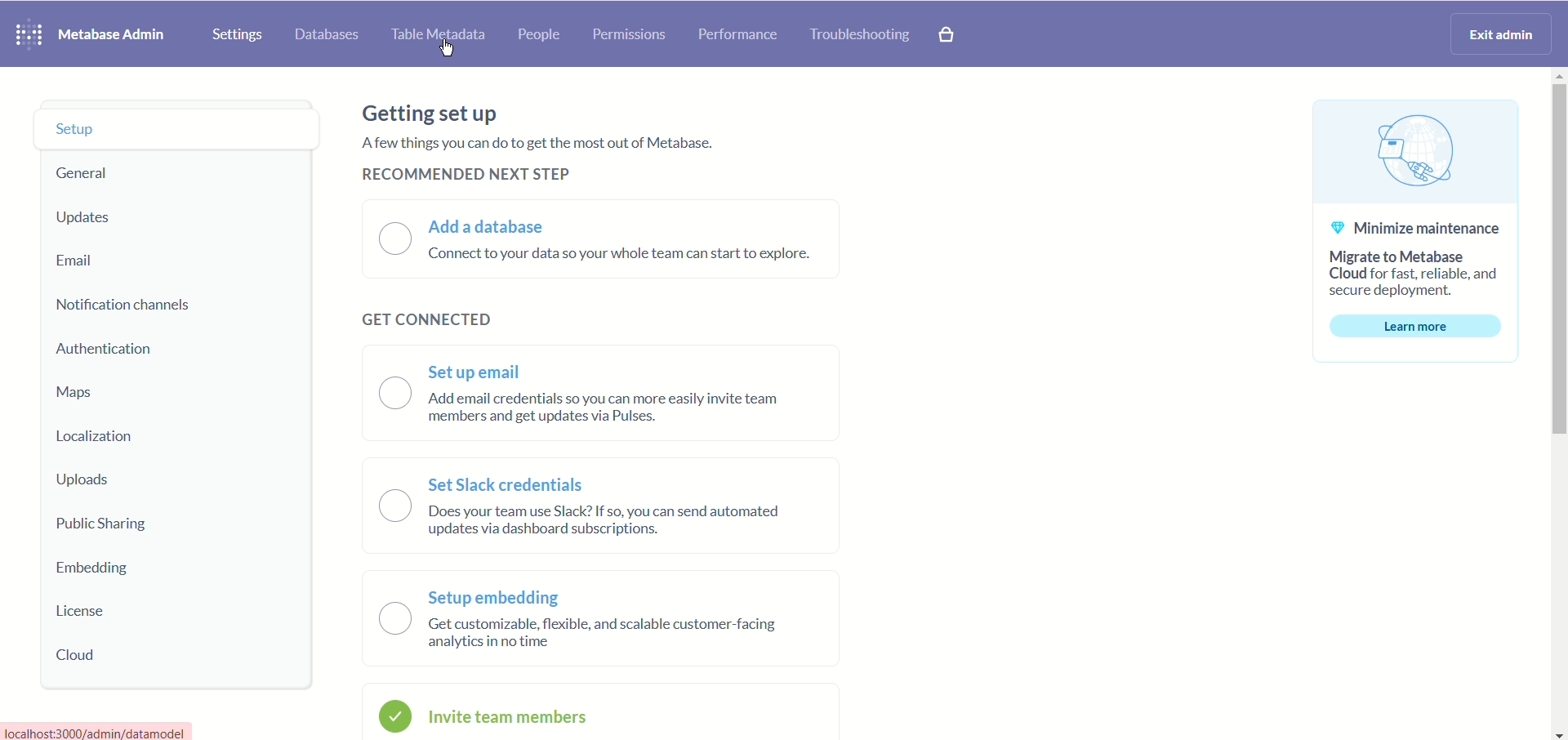  Describe the element at coordinates (378, 506) in the screenshot. I see `Radio button` at that location.